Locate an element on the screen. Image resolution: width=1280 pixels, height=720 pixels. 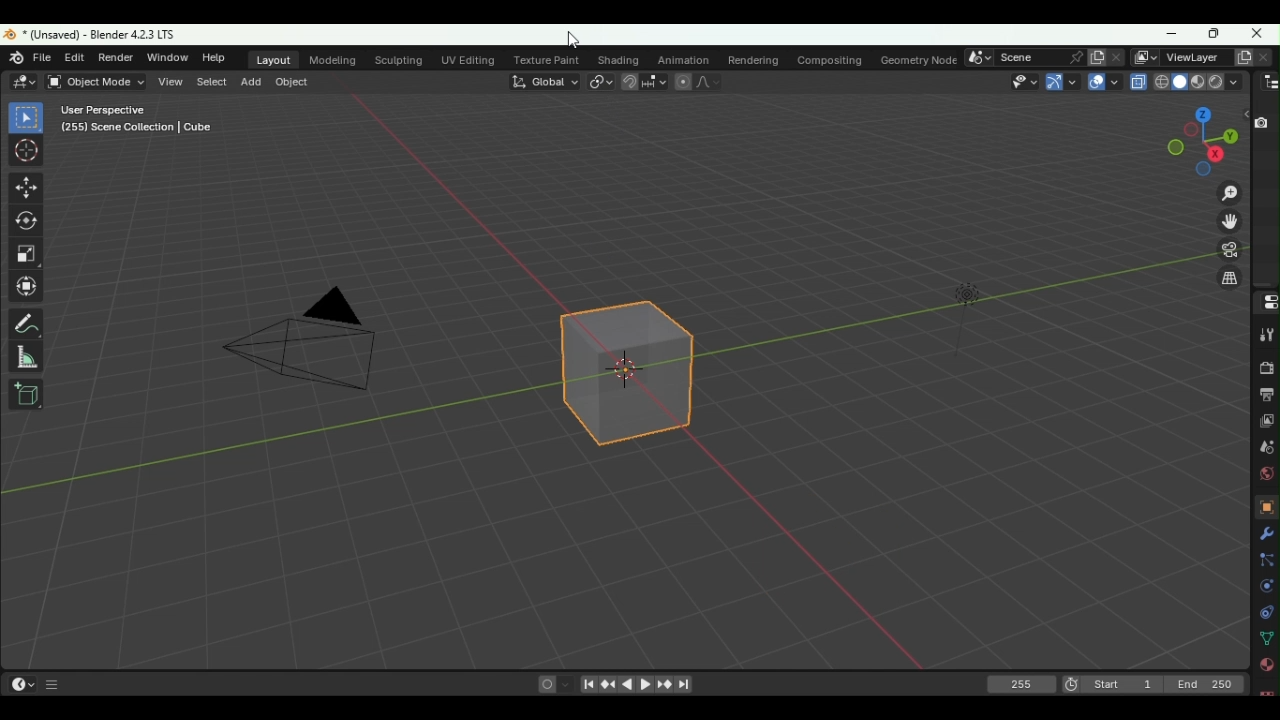
Object is located at coordinates (1266, 507).